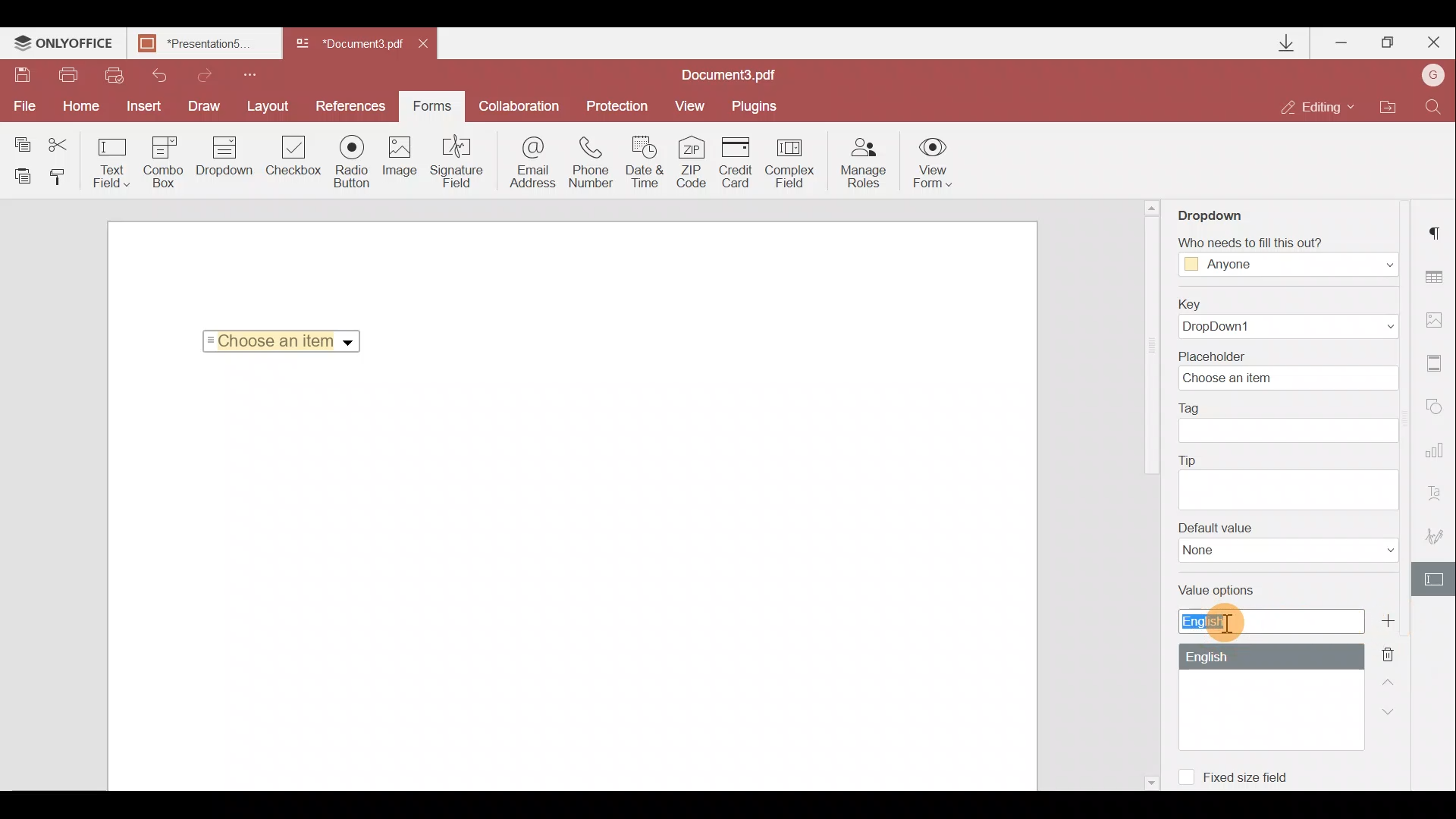  What do you see at coordinates (1438, 366) in the screenshot?
I see `Header & Footer settings` at bounding box center [1438, 366].